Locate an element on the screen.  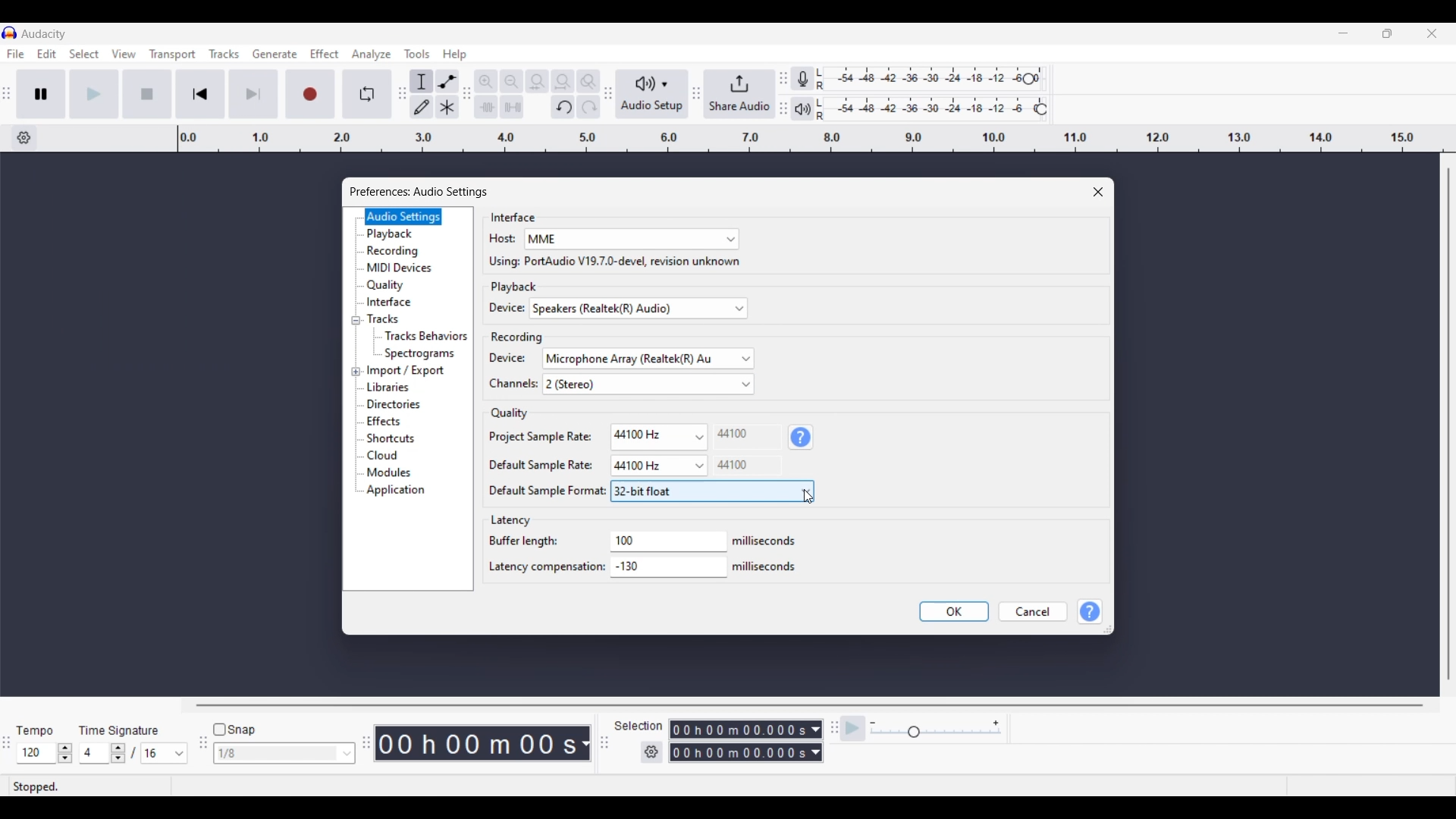
Recording is located at coordinates (405, 251).